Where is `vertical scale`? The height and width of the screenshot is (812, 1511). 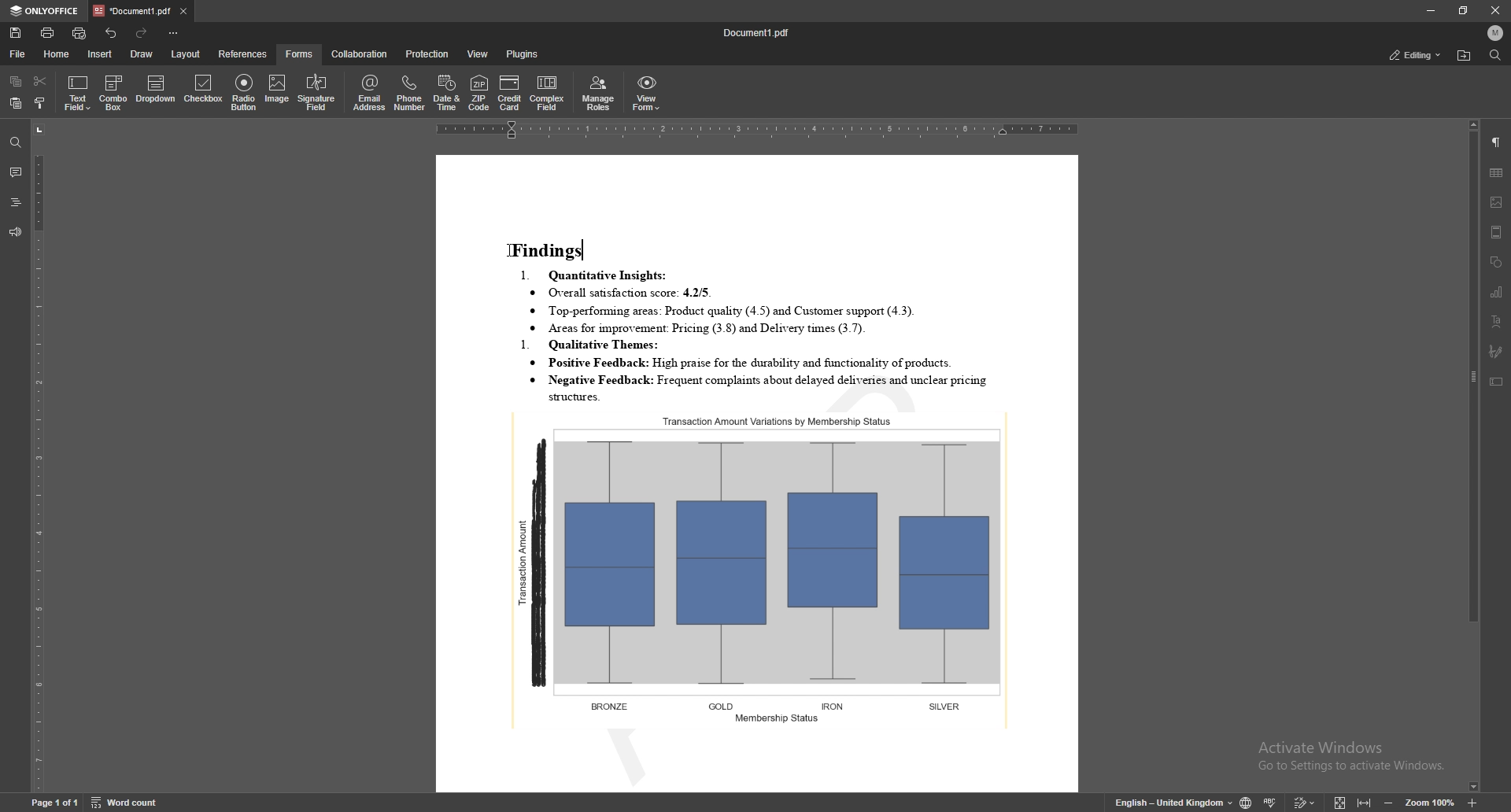
vertical scale is located at coordinates (39, 456).